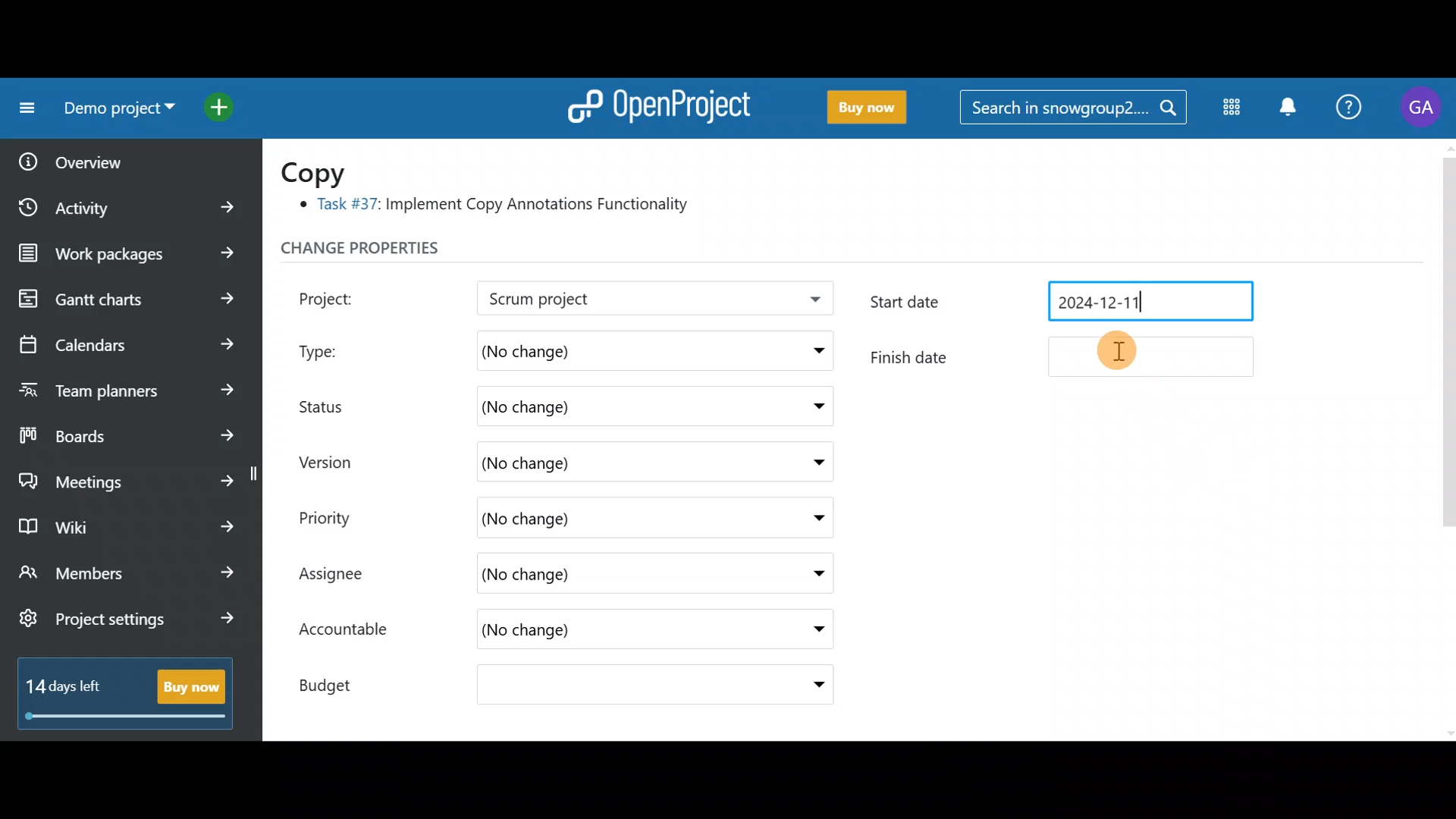 The height and width of the screenshot is (819, 1456). Describe the element at coordinates (1447, 438) in the screenshot. I see `Scroll bar` at that location.